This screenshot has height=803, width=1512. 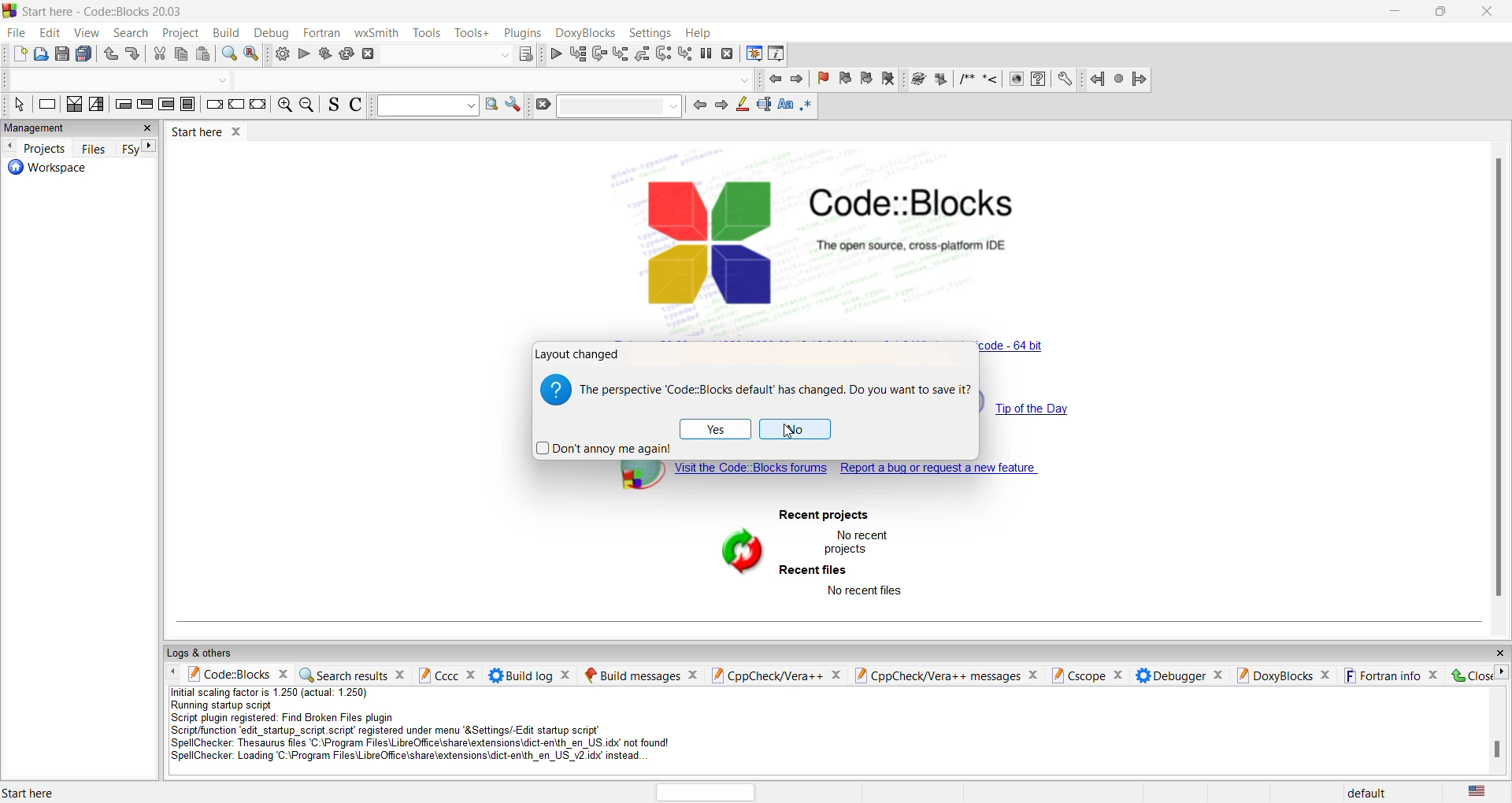 I want to click on cpp check messages pane, so click(x=951, y=675).